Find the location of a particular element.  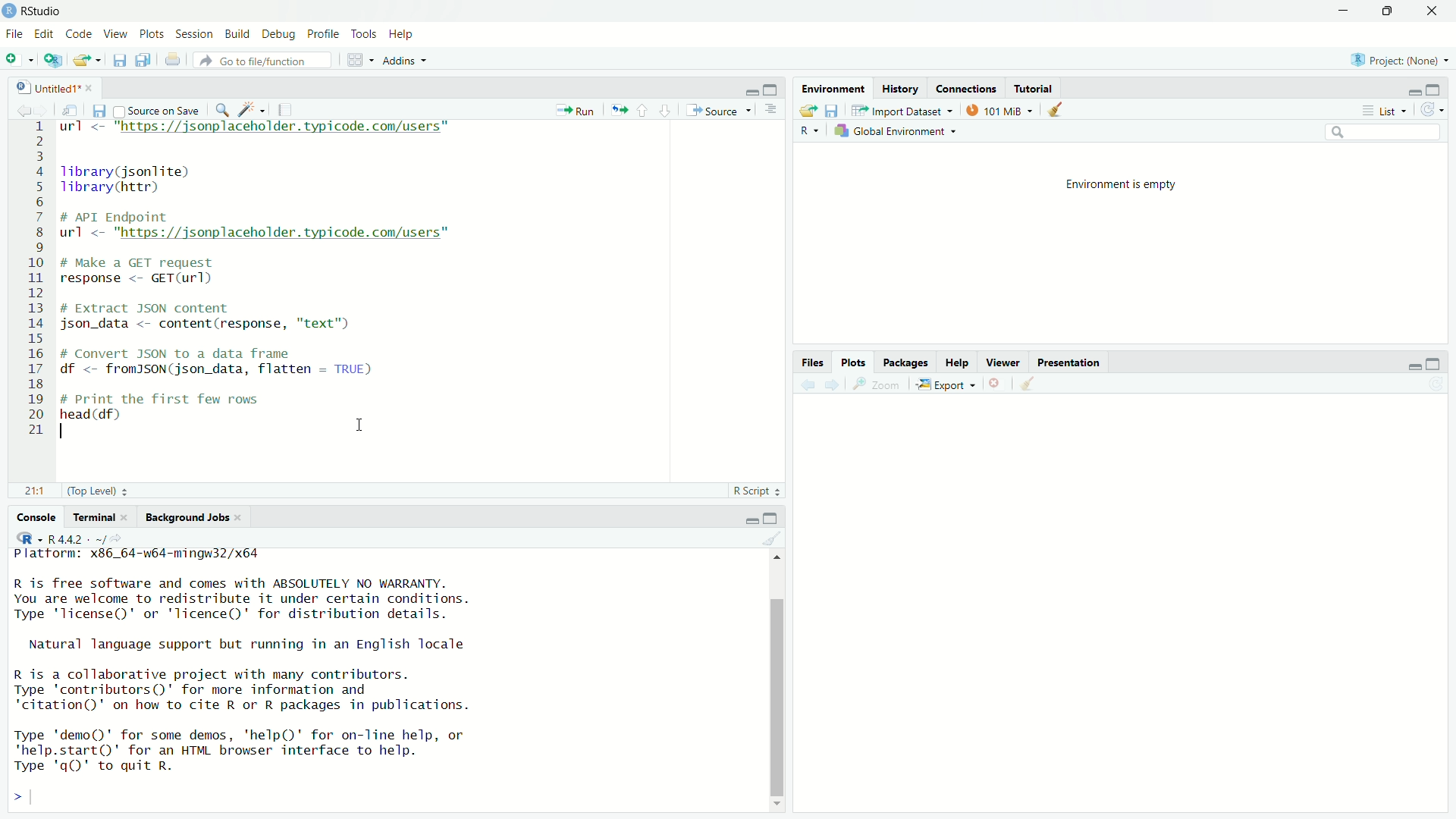

Type 'demo()' for some demos, 'help()' for on-line help, or
'help.start()"' for an HTML browser interface to help.
Type 'qQ)' to quit R. is located at coordinates (240, 753).